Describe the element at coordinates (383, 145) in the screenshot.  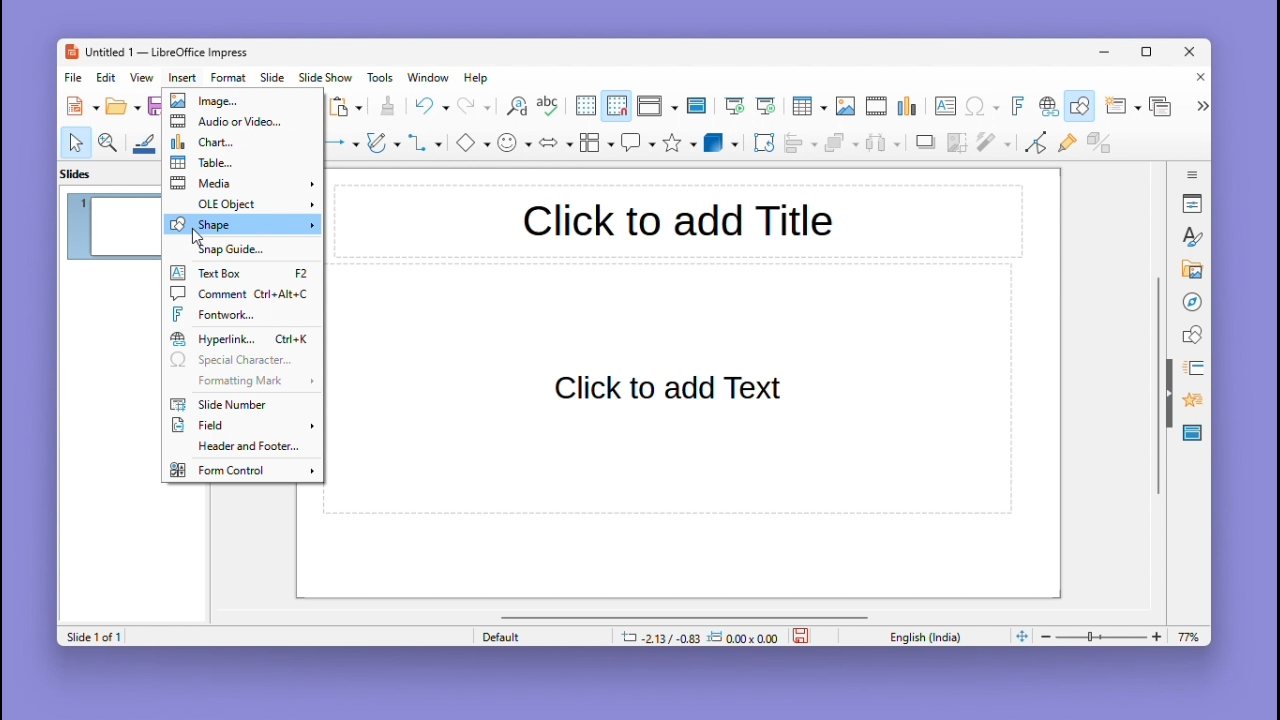
I see `pencil` at that location.